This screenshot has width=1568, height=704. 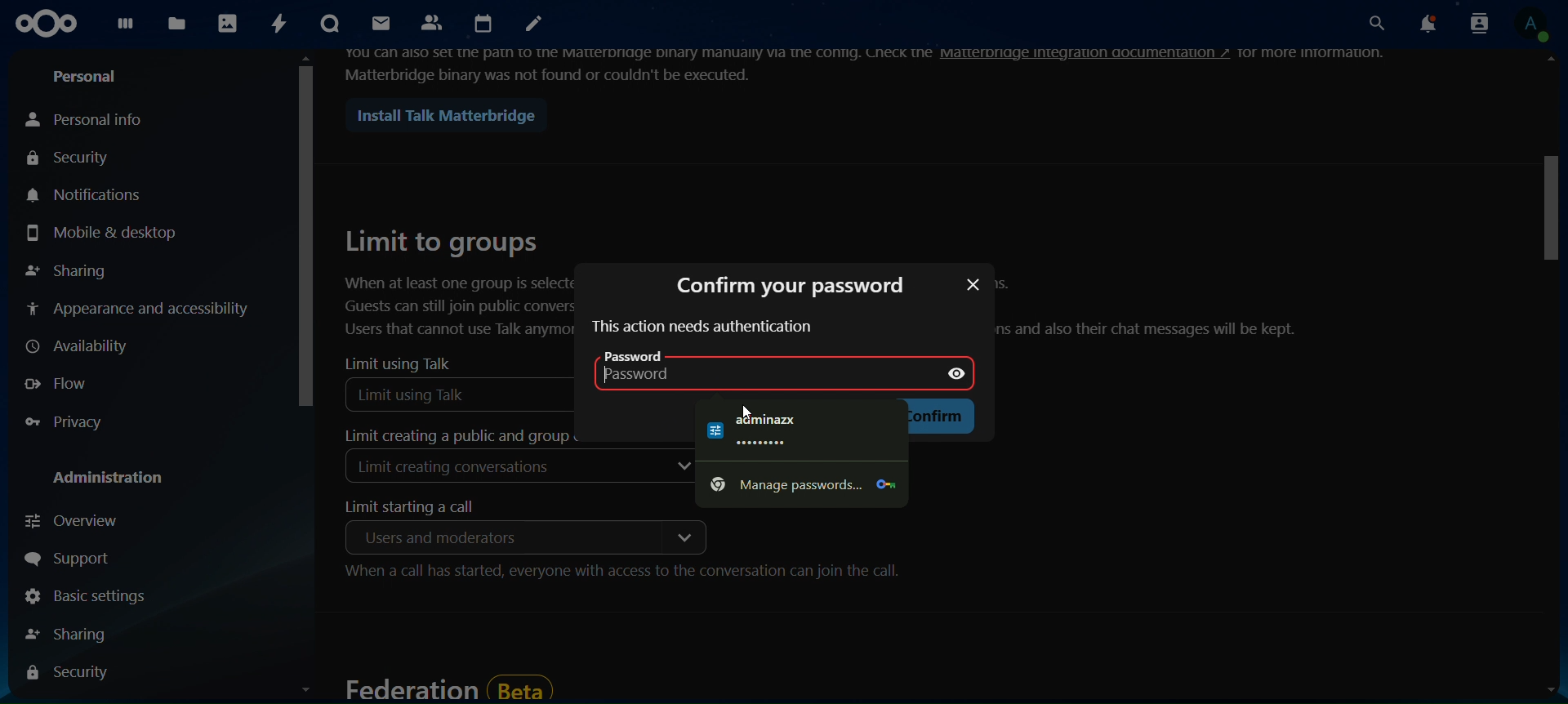 What do you see at coordinates (1551, 380) in the screenshot?
I see `scroll bar` at bounding box center [1551, 380].